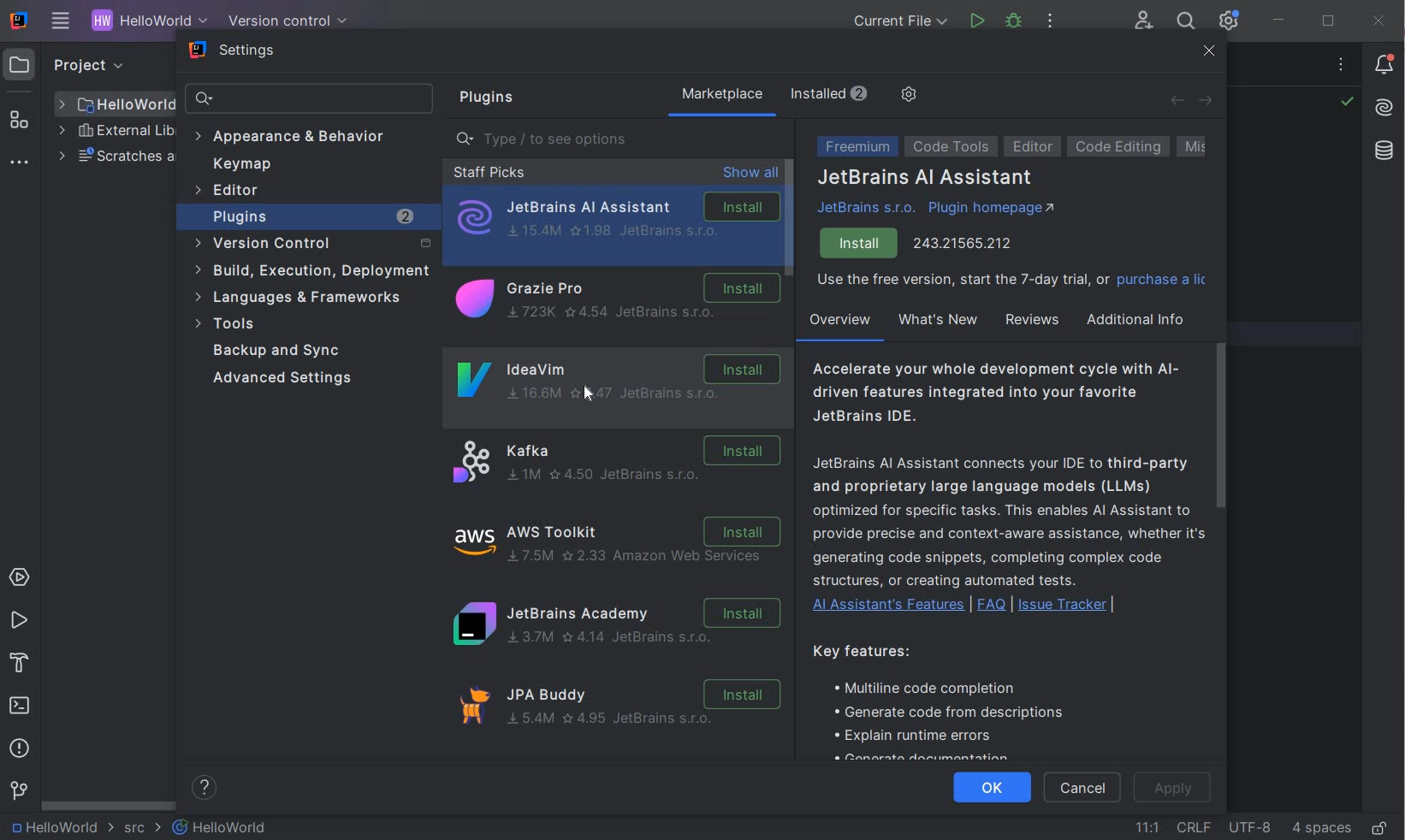  What do you see at coordinates (1118, 146) in the screenshot?
I see `code editing` at bounding box center [1118, 146].